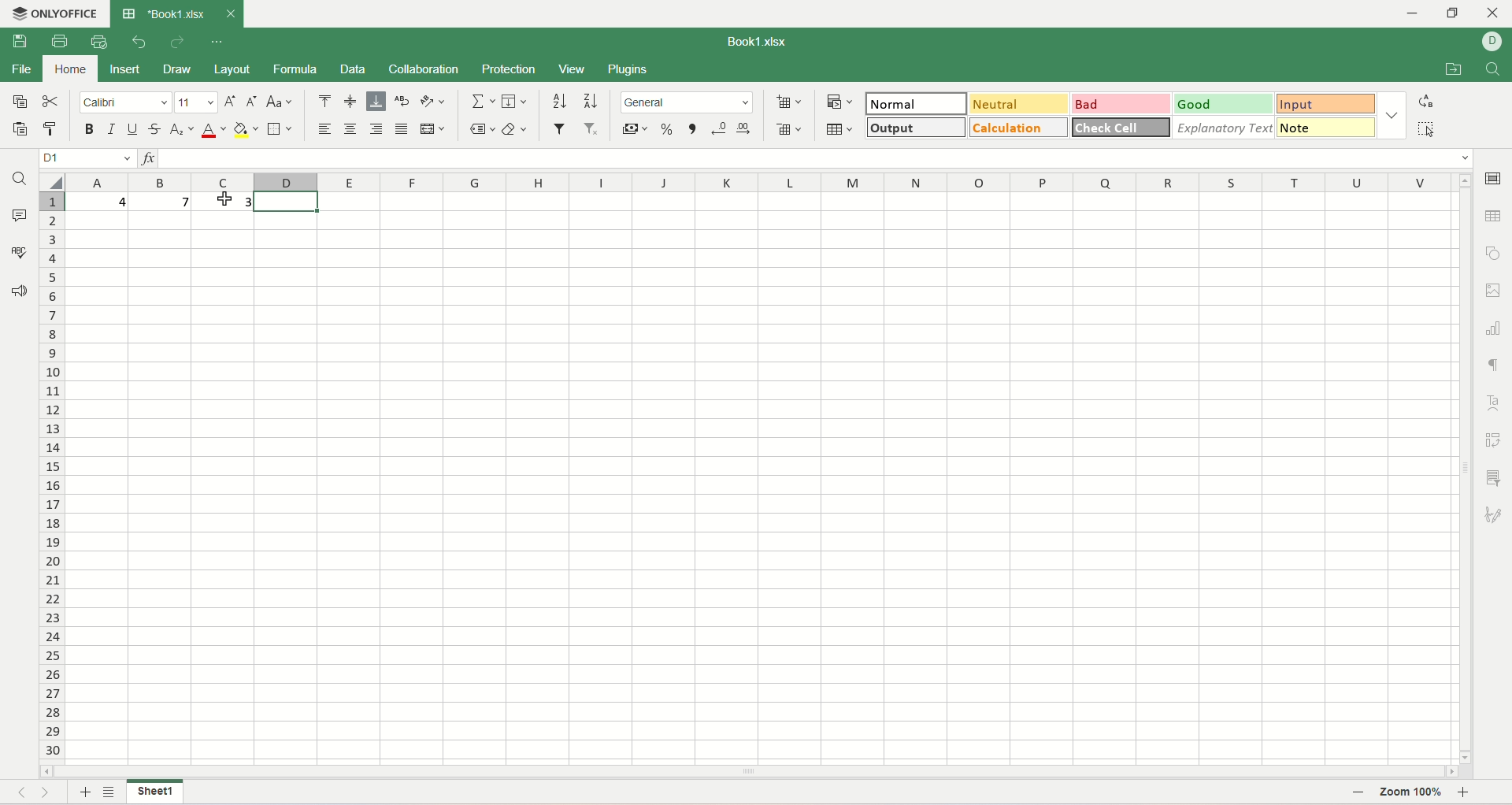 The height and width of the screenshot is (805, 1512). I want to click on signature settings, so click(1497, 515).